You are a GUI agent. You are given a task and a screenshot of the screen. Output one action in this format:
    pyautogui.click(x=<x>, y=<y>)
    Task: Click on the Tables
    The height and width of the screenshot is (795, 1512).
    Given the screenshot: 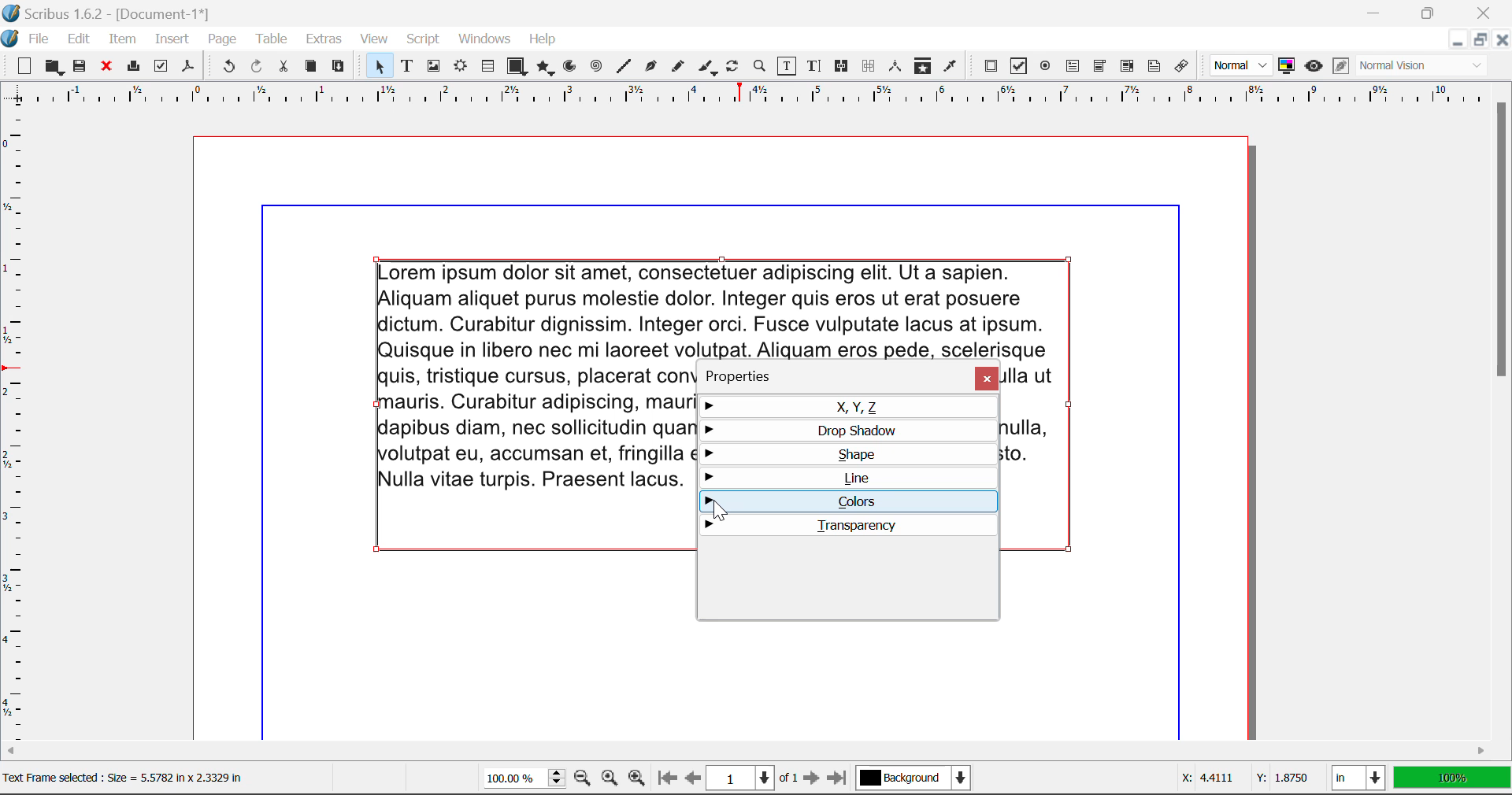 What is the action you would take?
    pyautogui.click(x=487, y=68)
    